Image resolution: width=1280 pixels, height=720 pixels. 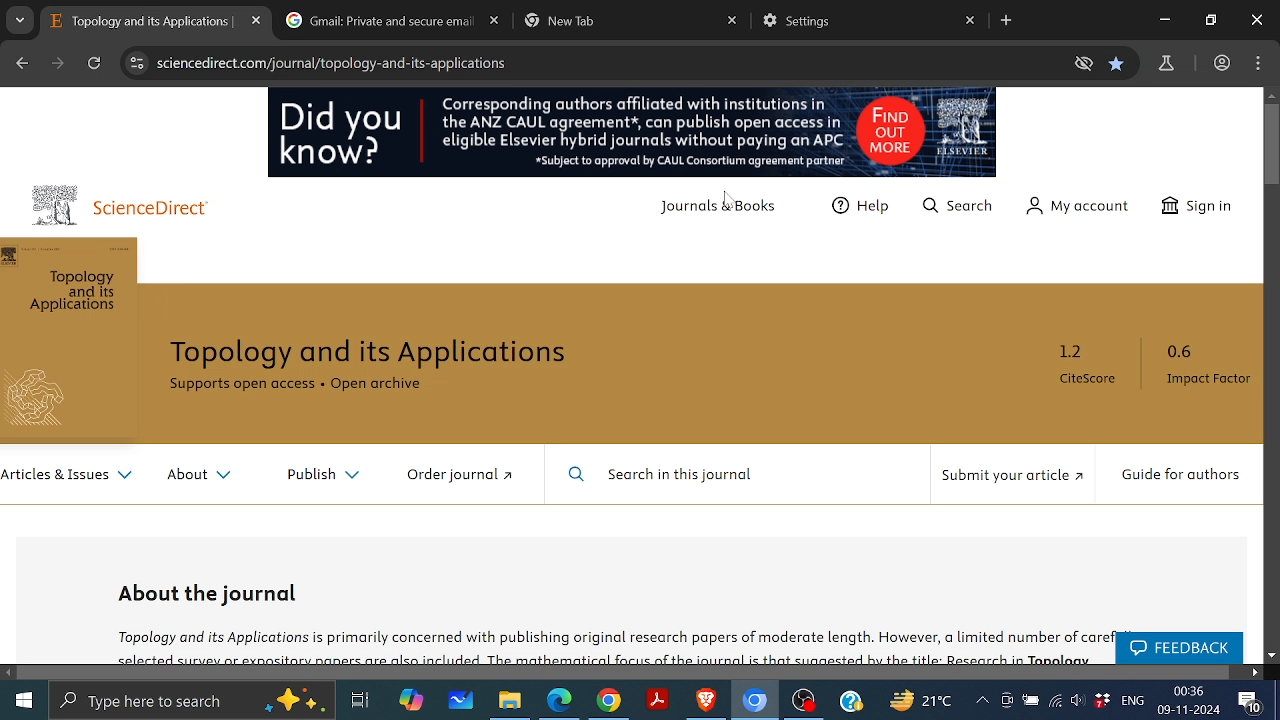 I want to click on Go to previous  page, so click(x=19, y=64).